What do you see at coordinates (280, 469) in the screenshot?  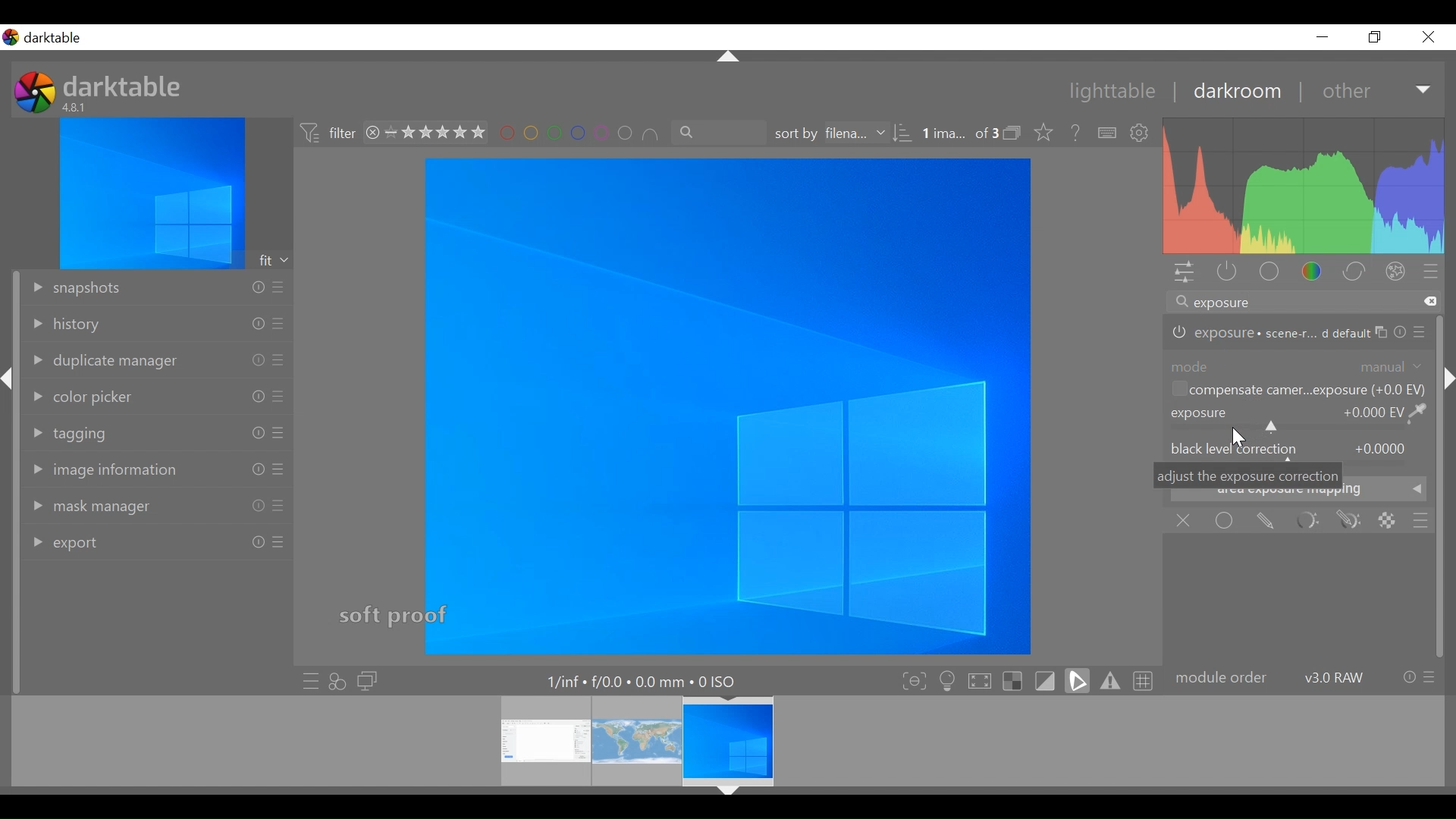 I see `presets` at bounding box center [280, 469].